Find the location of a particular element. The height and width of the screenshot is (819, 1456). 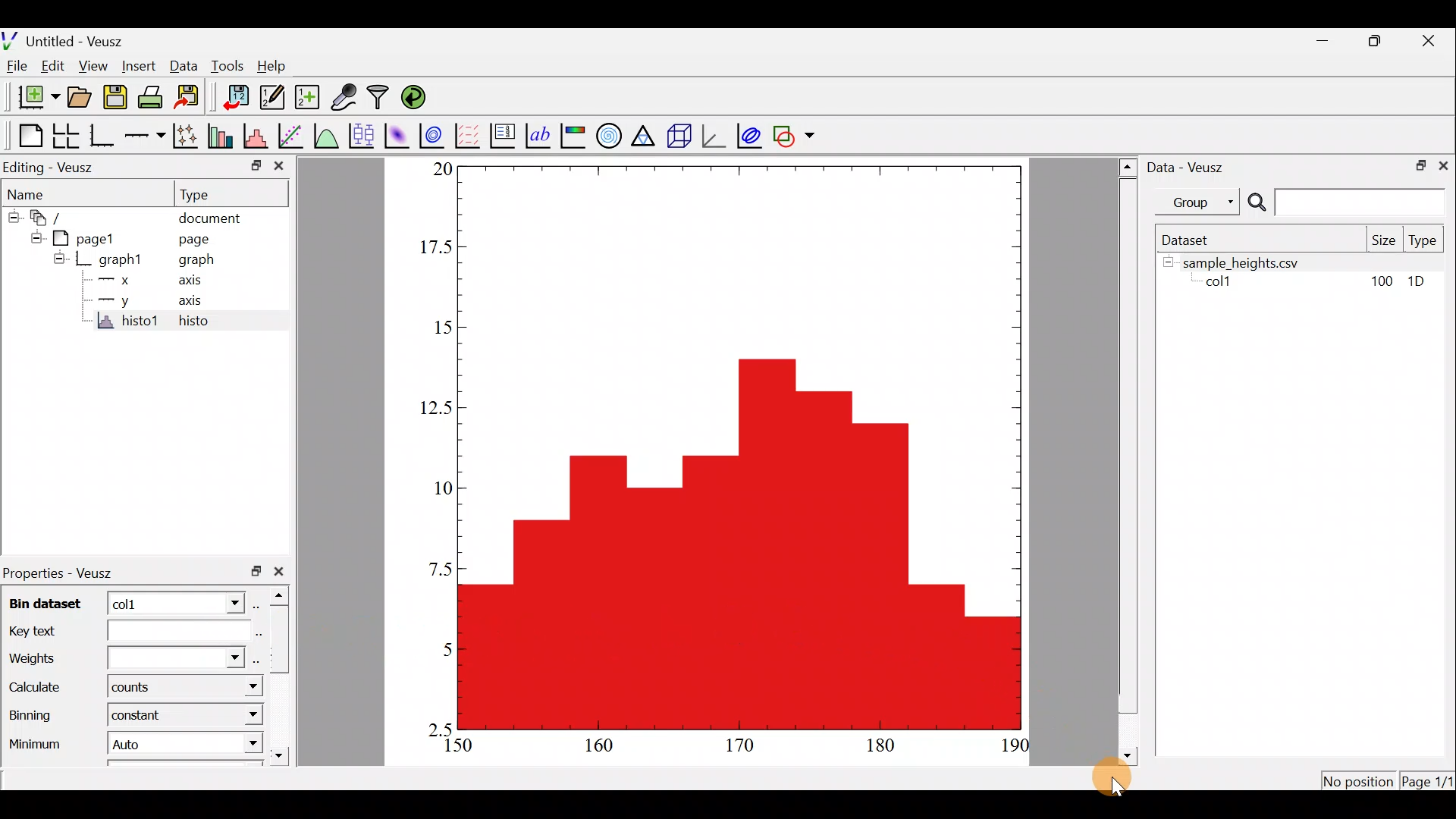

reload linked datasets is located at coordinates (420, 97).